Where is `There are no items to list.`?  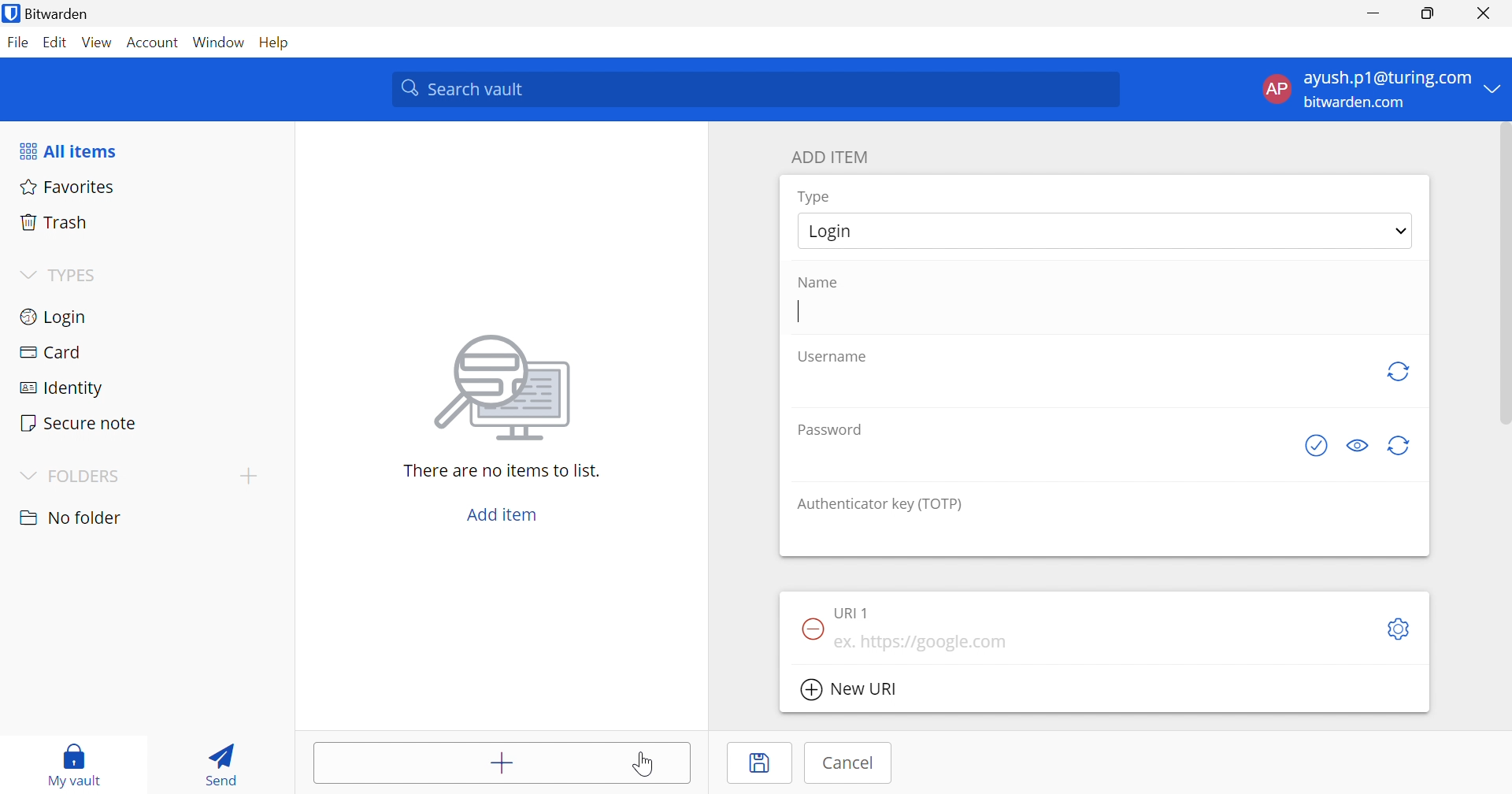
There are no items to list. is located at coordinates (502, 470).